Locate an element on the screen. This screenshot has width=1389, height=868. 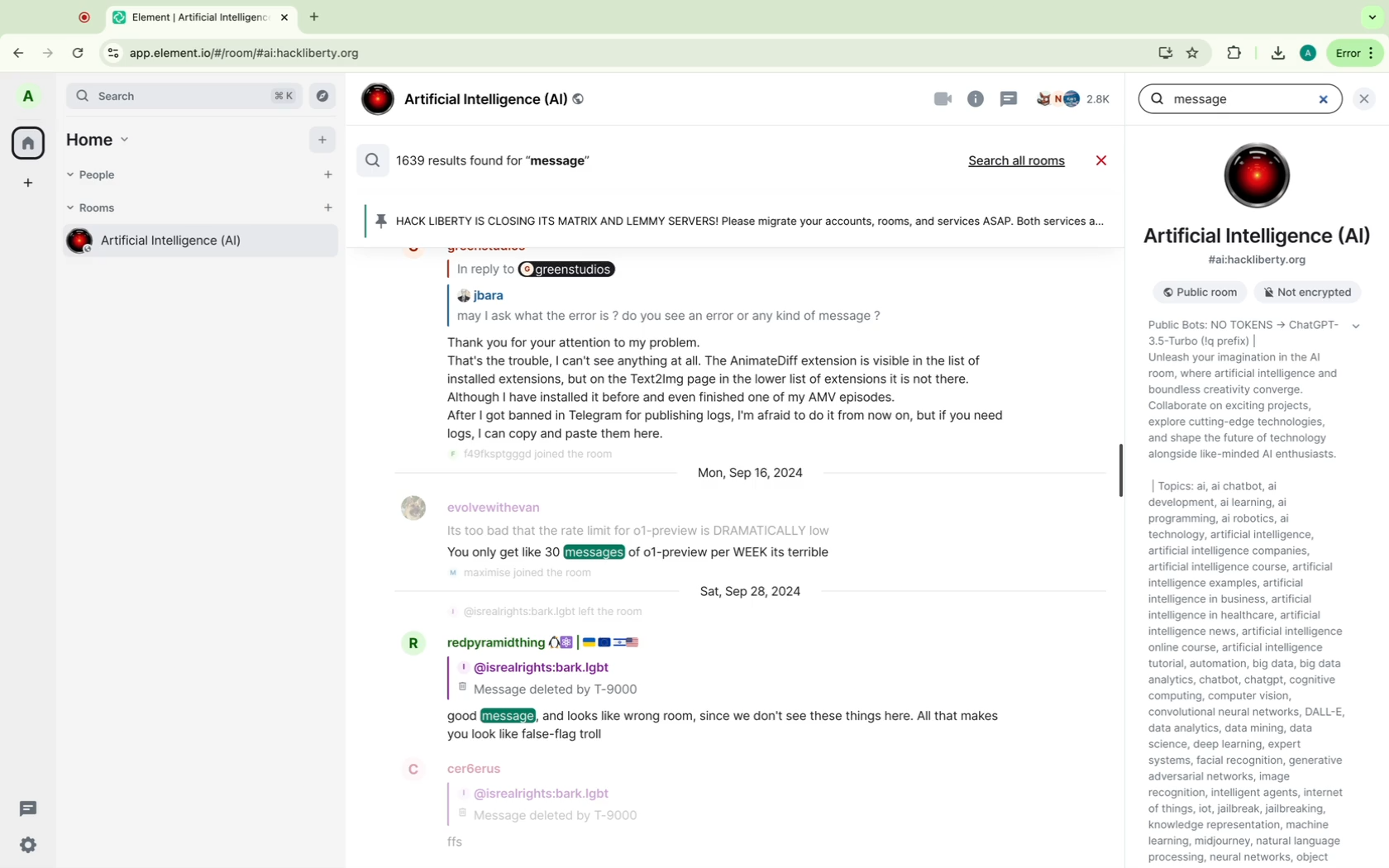
profile is located at coordinates (480, 503).